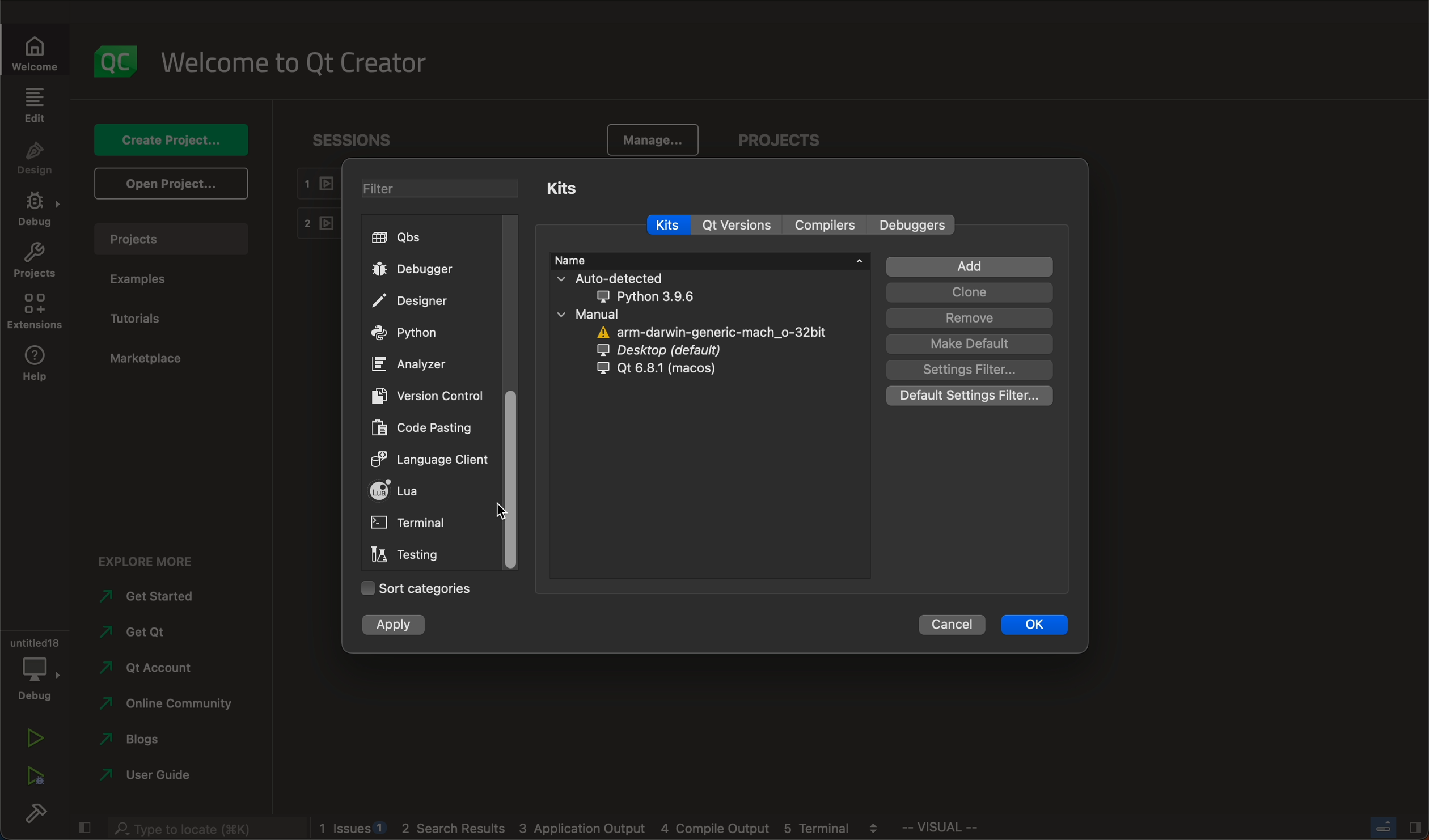 The height and width of the screenshot is (840, 1429). What do you see at coordinates (30, 740) in the screenshot?
I see `run` at bounding box center [30, 740].